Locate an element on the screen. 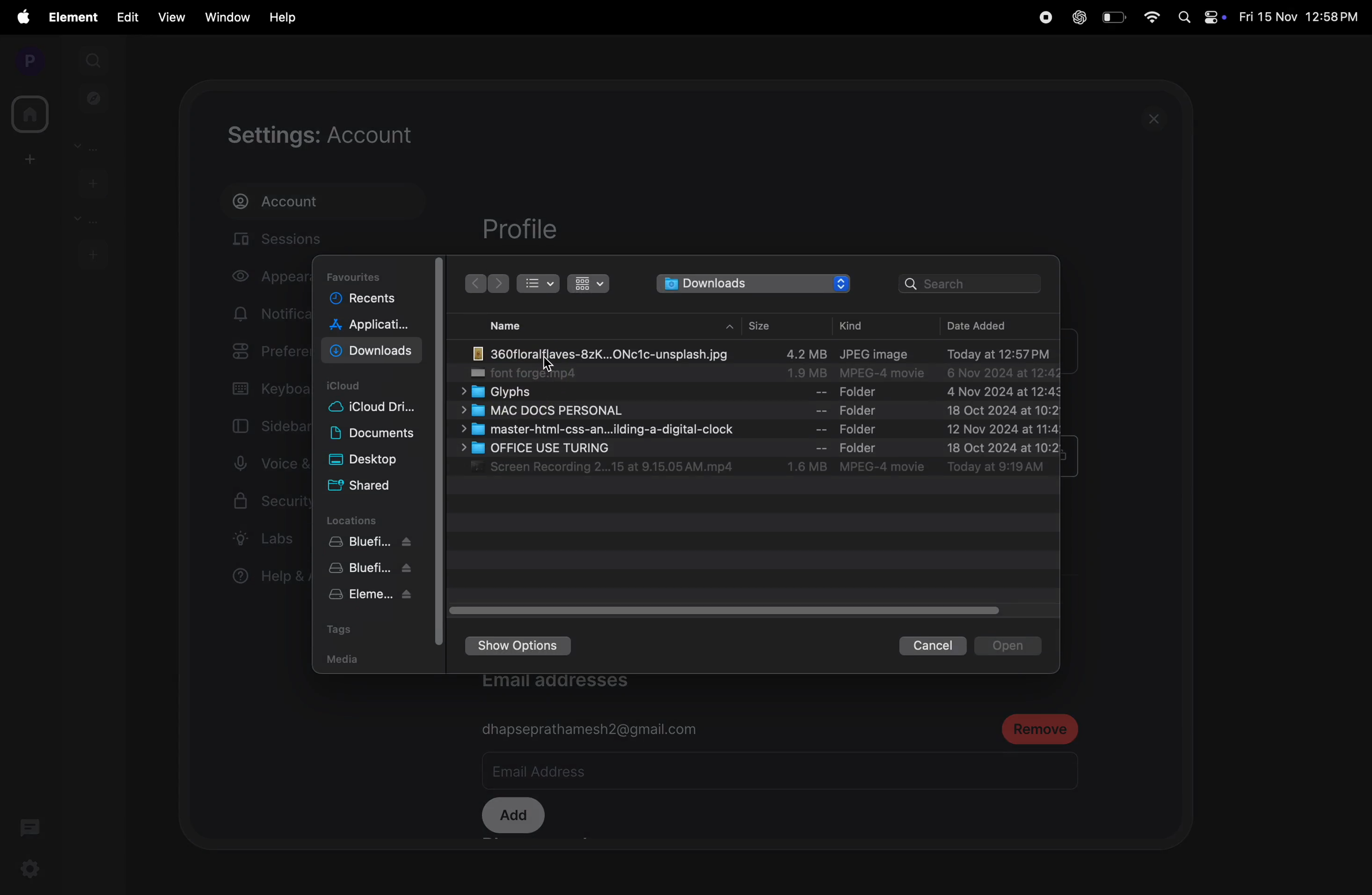  view is located at coordinates (168, 17).